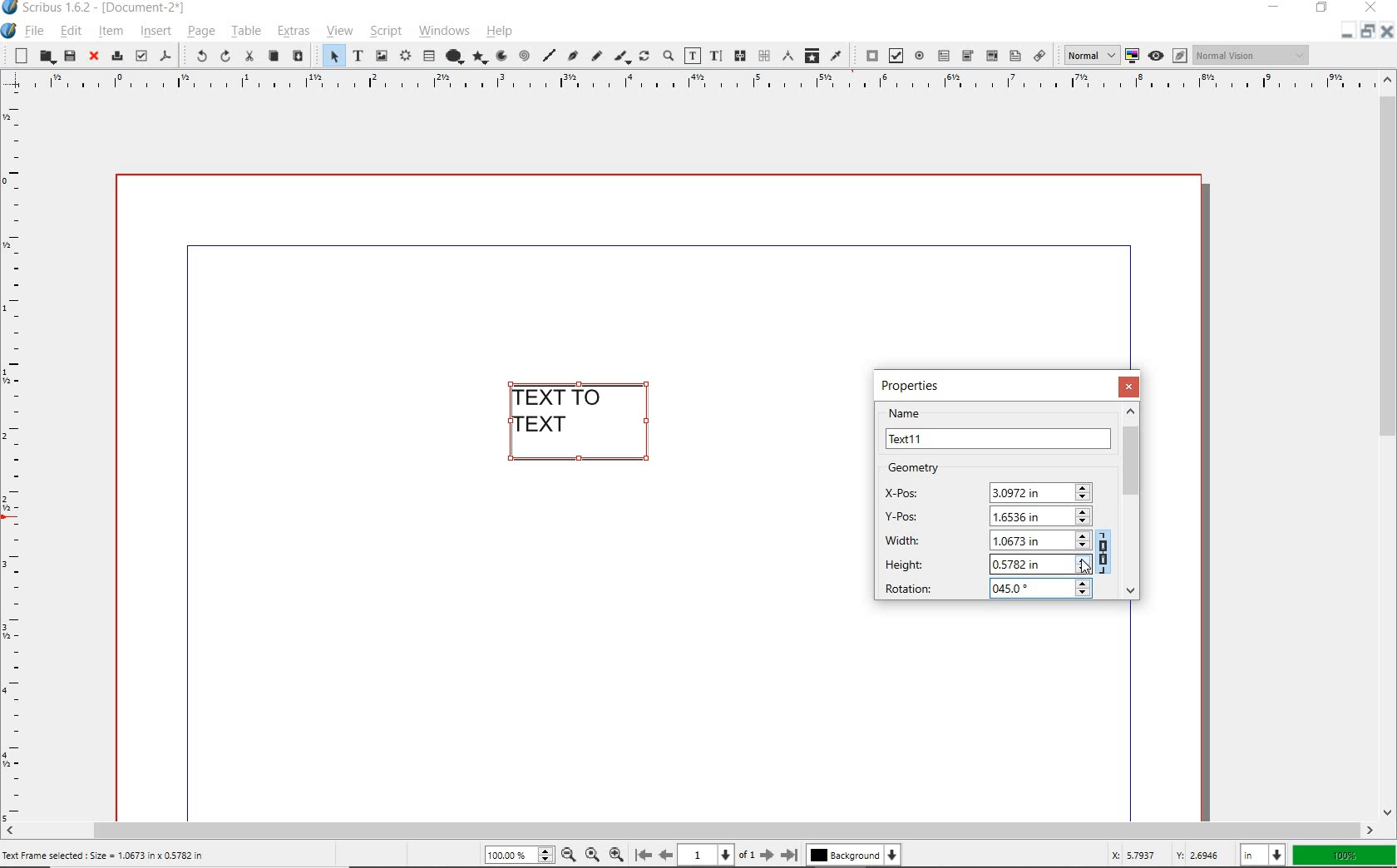 Image resolution: width=1397 pixels, height=868 pixels. What do you see at coordinates (1322, 9) in the screenshot?
I see `restore` at bounding box center [1322, 9].